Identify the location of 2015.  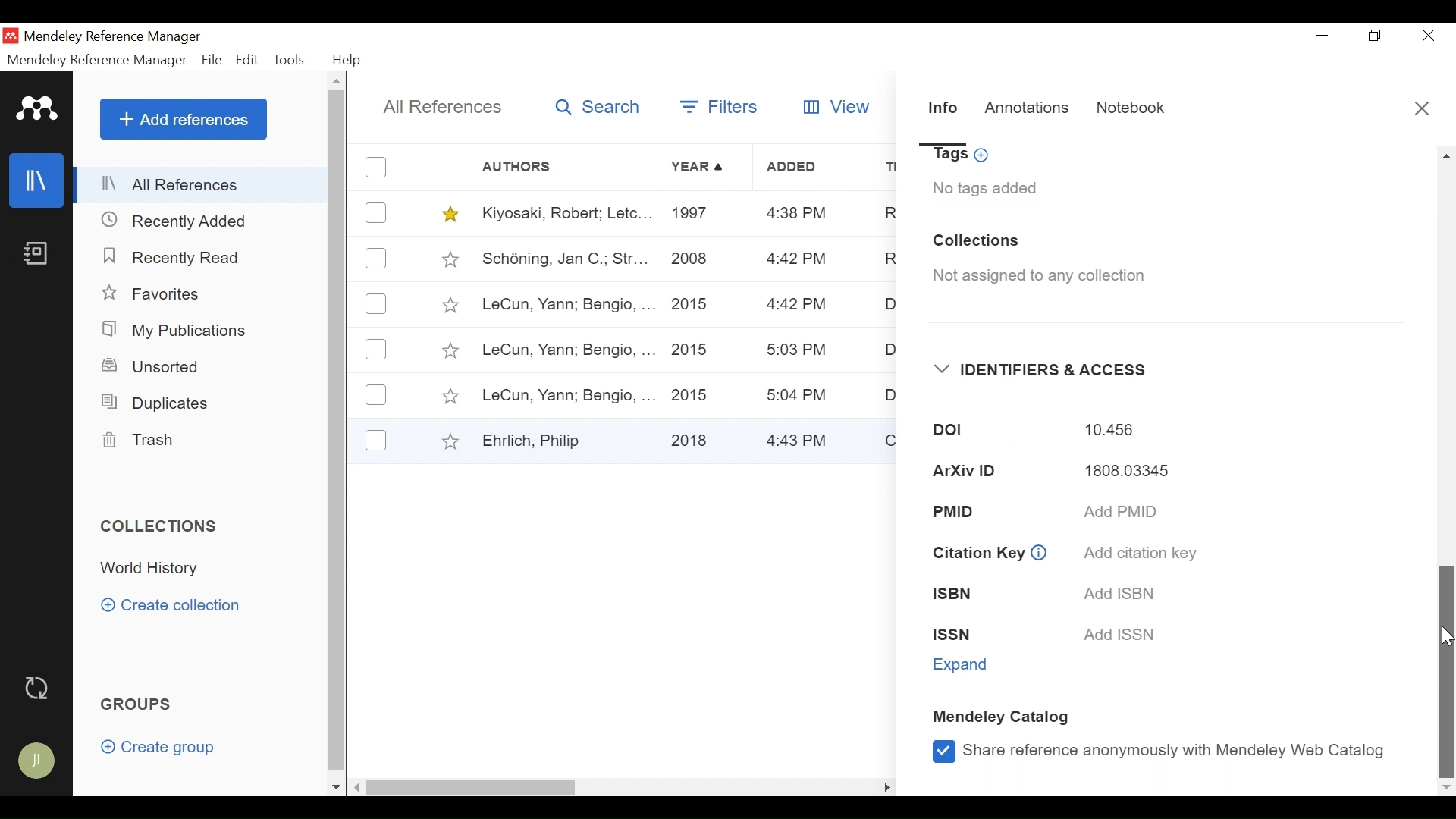
(695, 393).